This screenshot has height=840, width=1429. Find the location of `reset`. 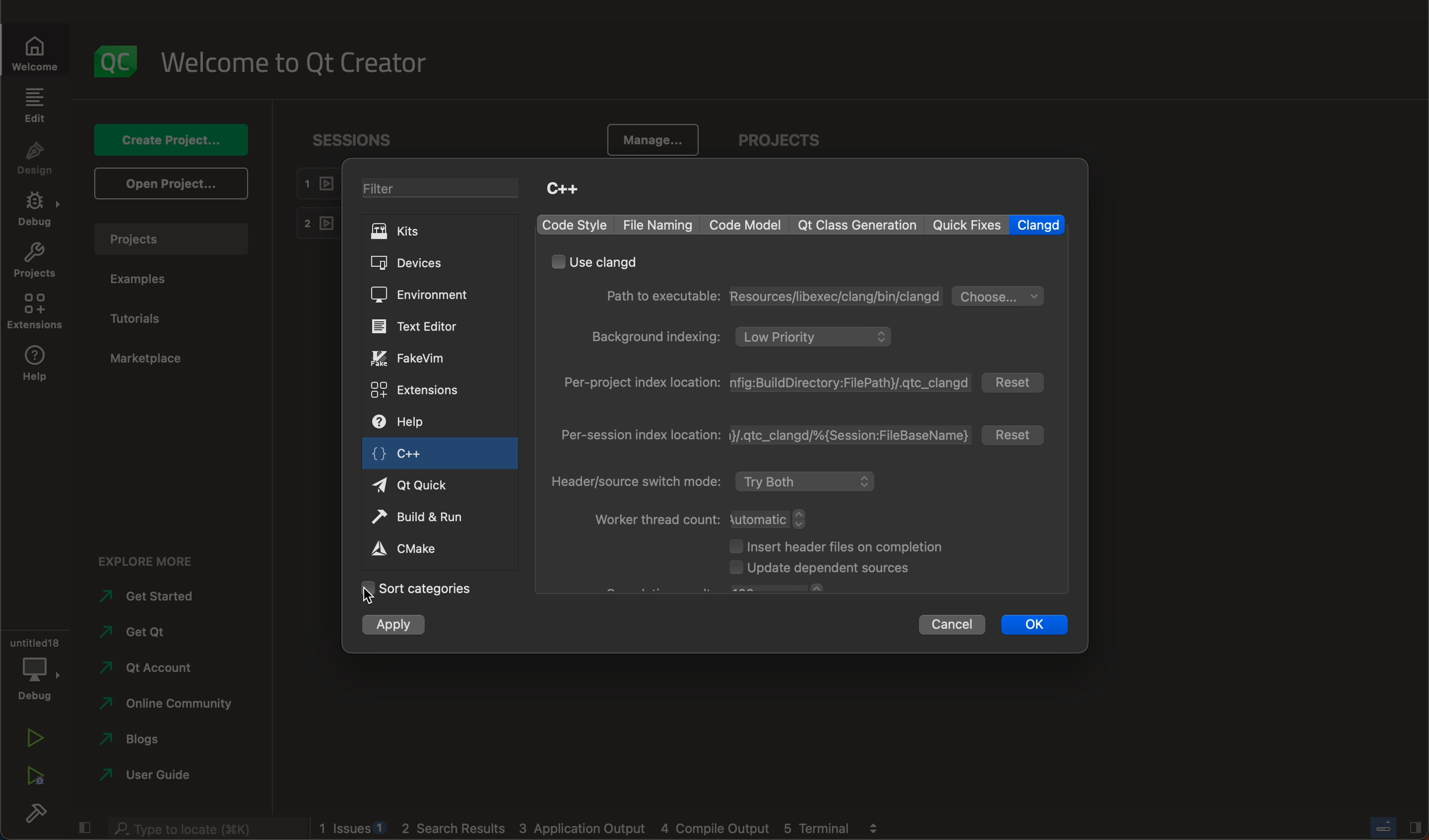

reset is located at coordinates (1017, 434).